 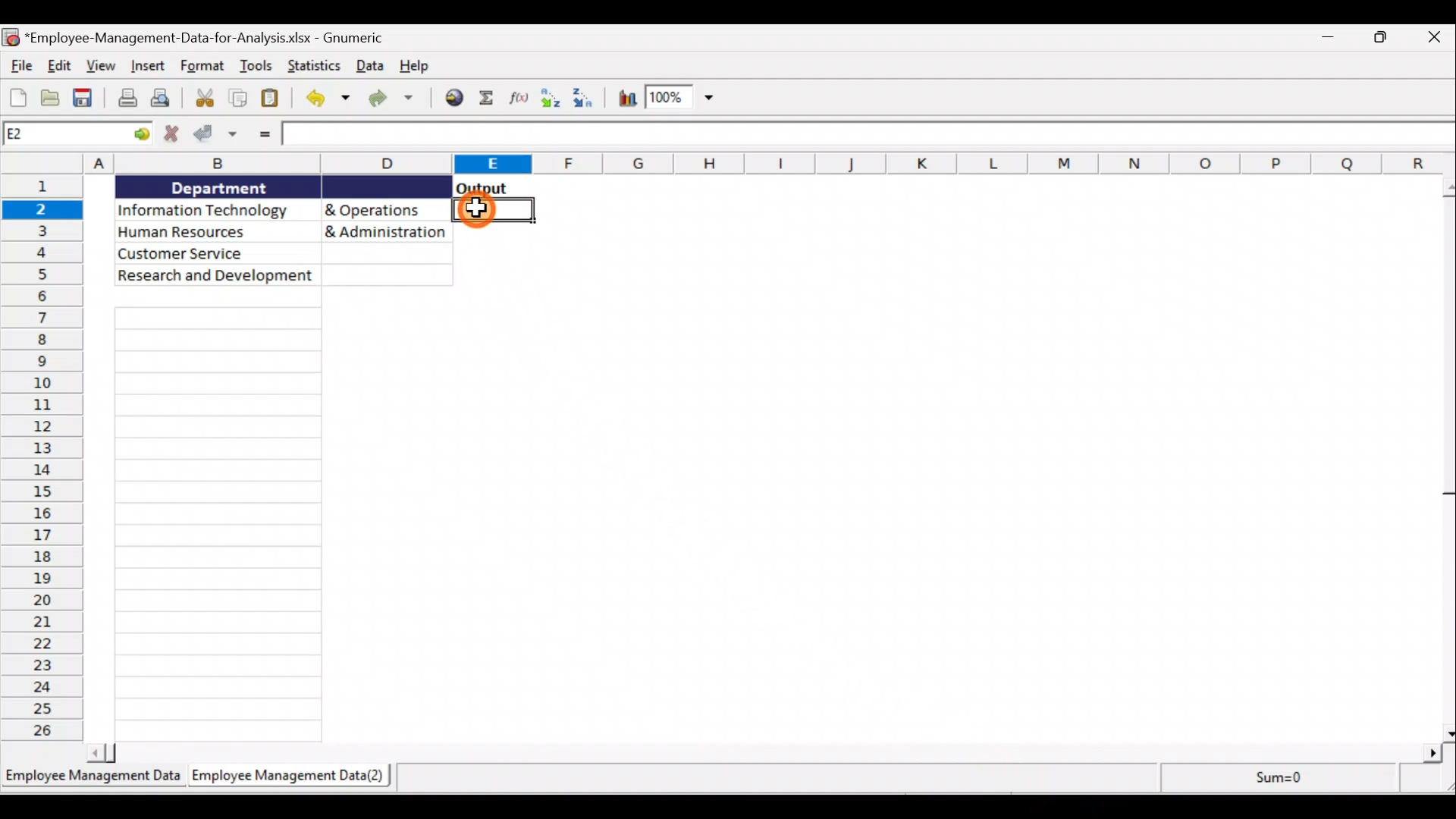 I want to click on Edit, so click(x=61, y=66).